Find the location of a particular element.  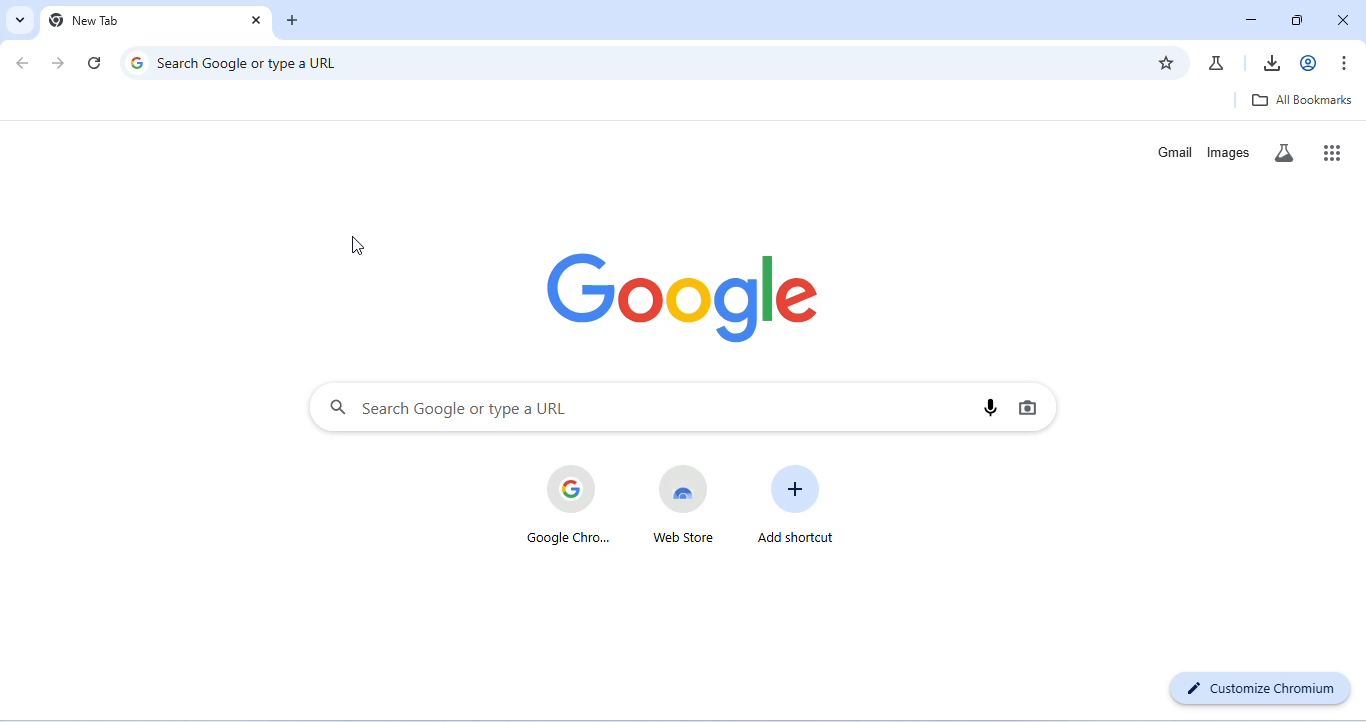

image search is located at coordinates (1030, 407).